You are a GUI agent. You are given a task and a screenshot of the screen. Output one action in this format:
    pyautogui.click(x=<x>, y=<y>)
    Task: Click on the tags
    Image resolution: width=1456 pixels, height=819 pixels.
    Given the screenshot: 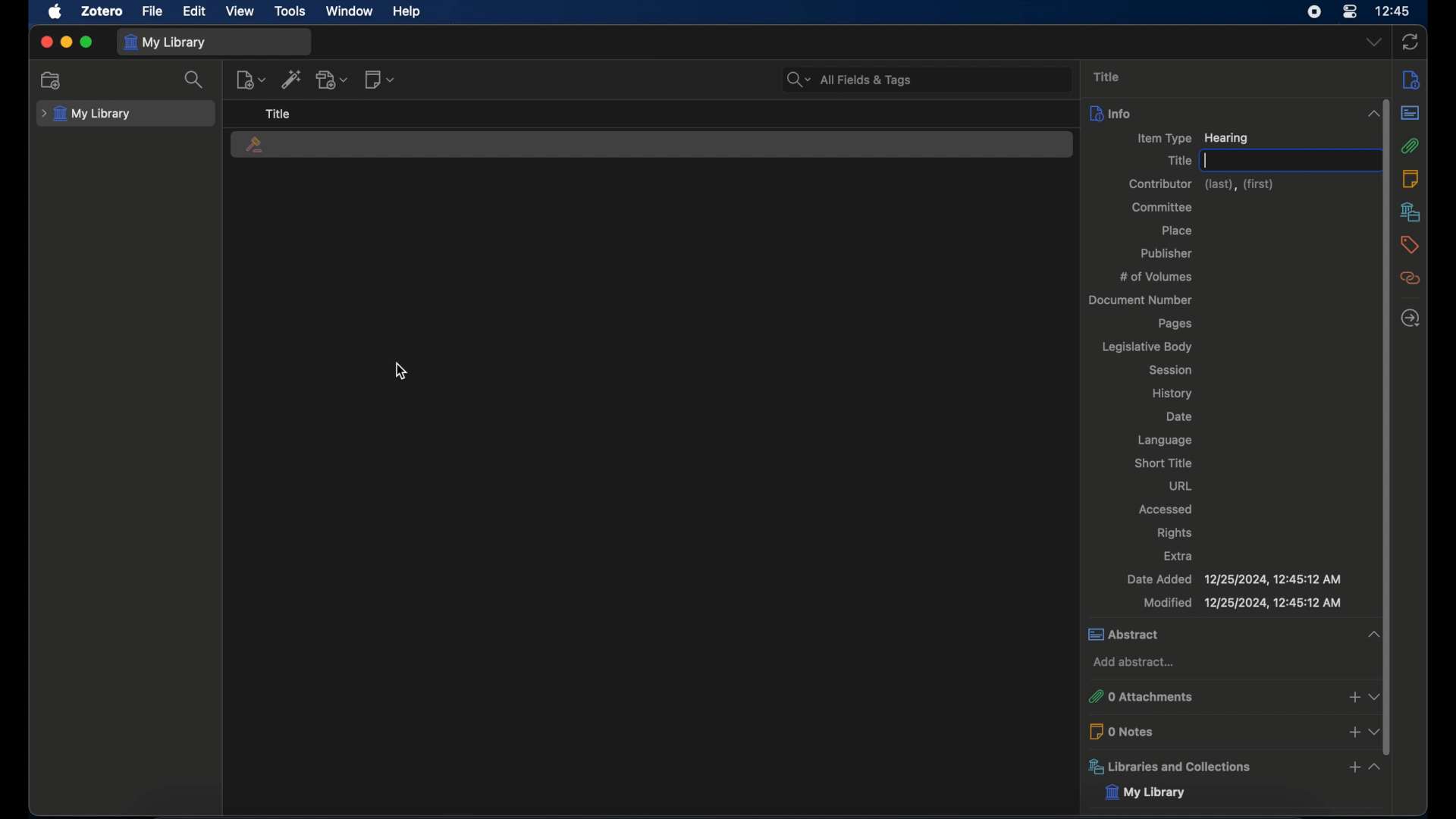 What is the action you would take?
    pyautogui.click(x=1410, y=245)
    